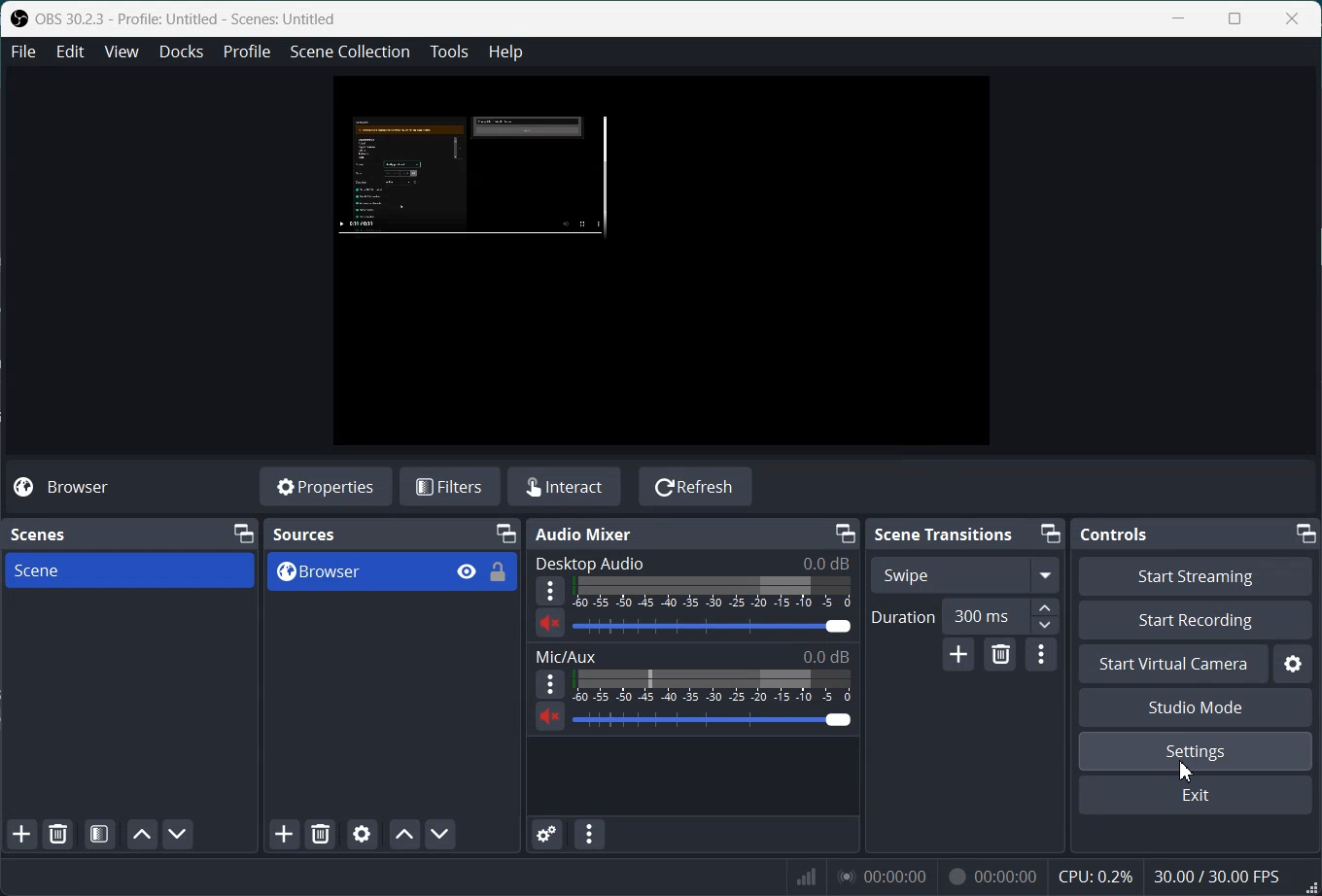 Image resolution: width=1322 pixels, height=896 pixels. Describe the element at coordinates (1115, 534) in the screenshot. I see `Controls` at that location.